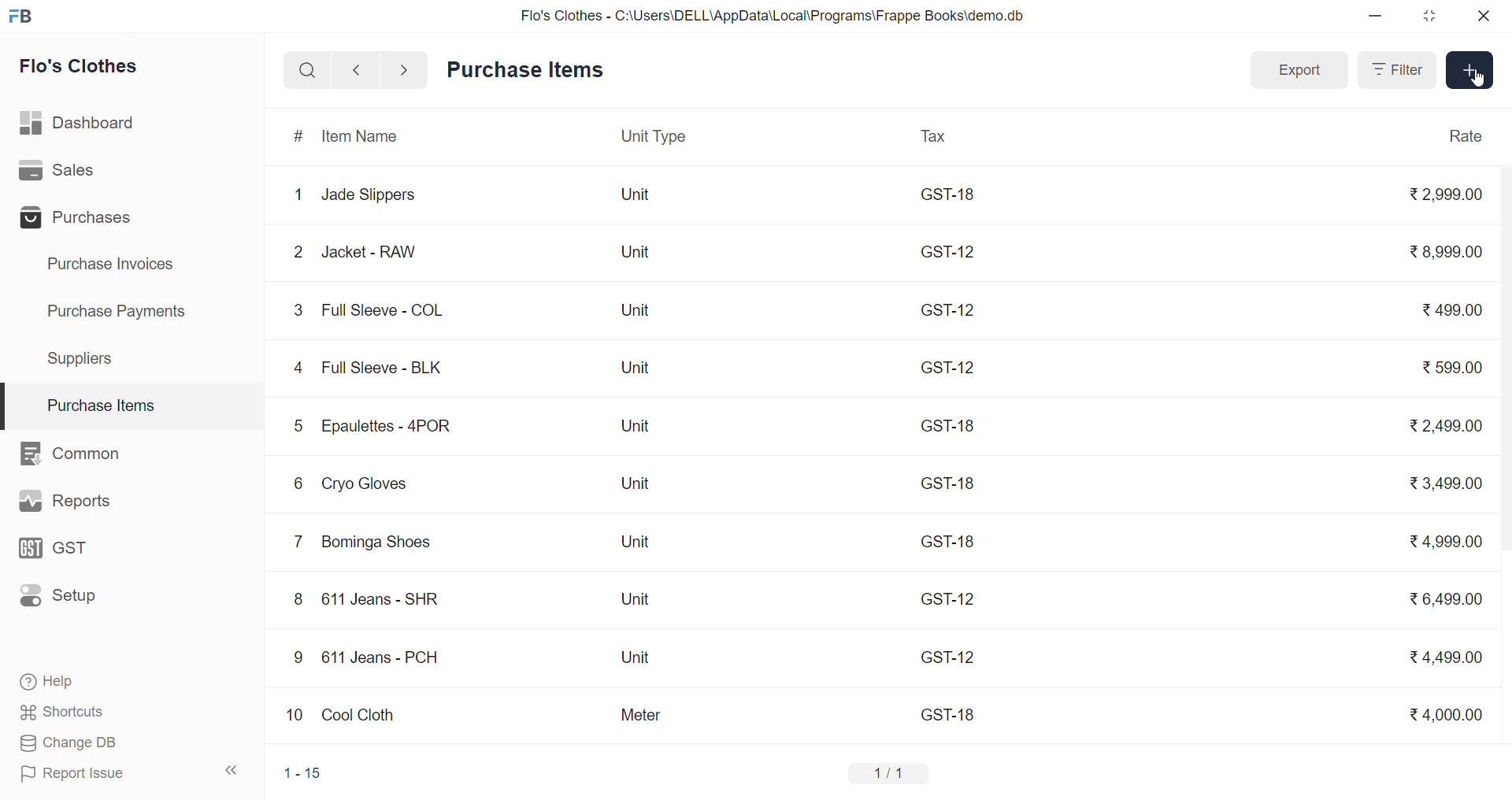 Image resolution: width=1512 pixels, height=800 pixels. I want to click on minimize, so click(1381, 16).